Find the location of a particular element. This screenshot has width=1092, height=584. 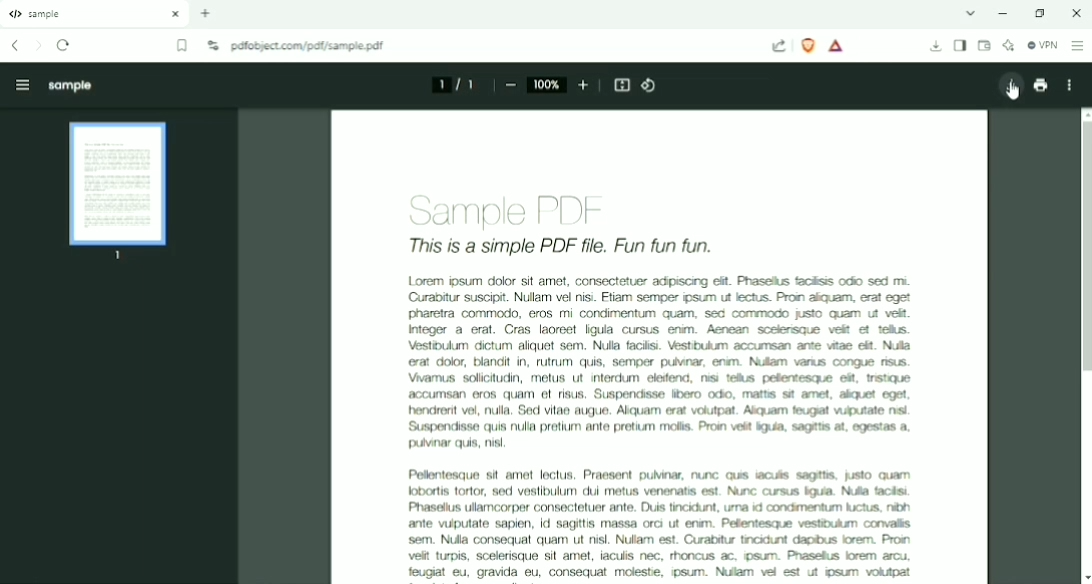

Minimize is located at coordinates (1006, 13).